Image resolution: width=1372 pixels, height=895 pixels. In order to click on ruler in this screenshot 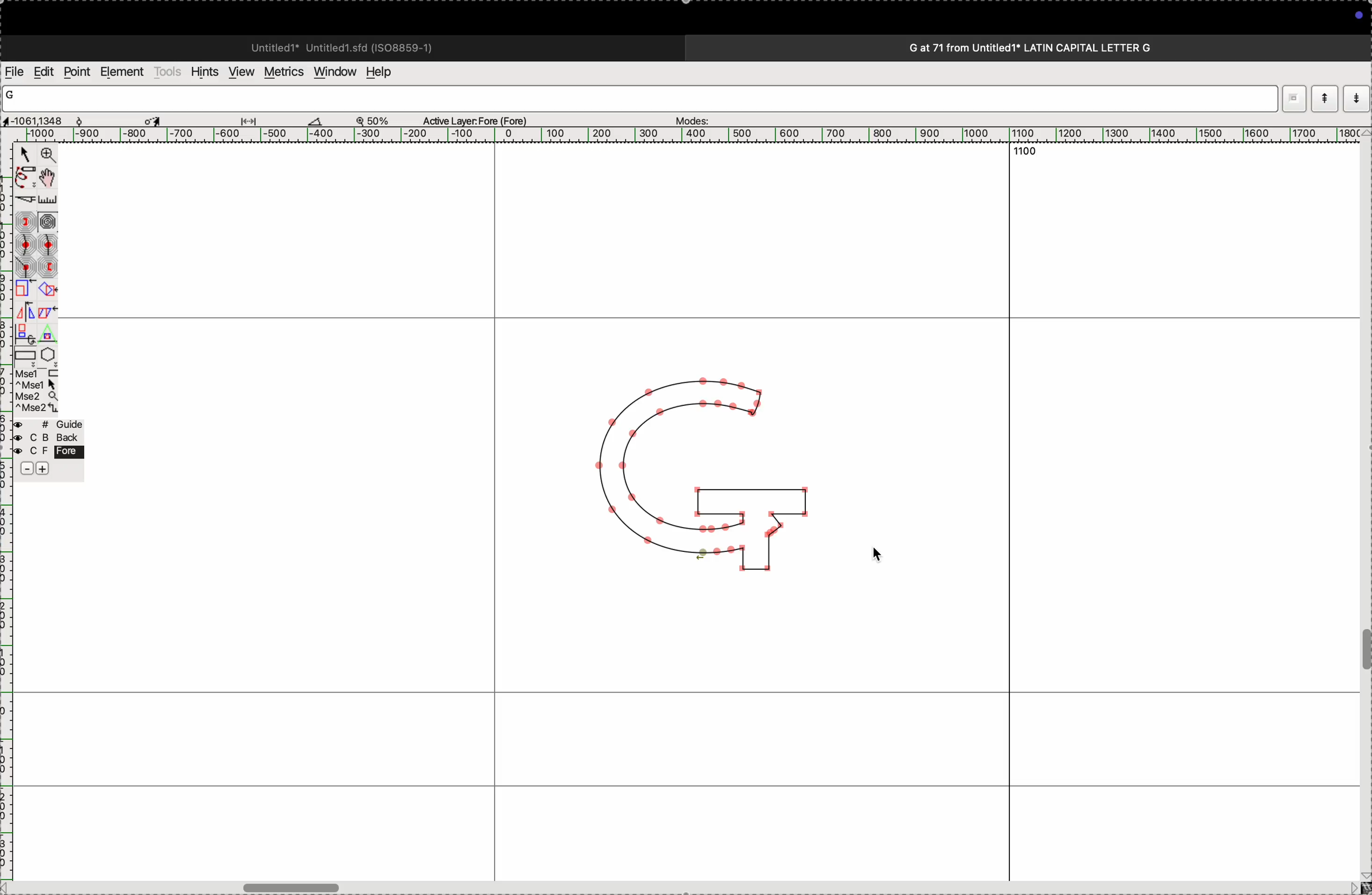, I will do `click(10, 689)`.